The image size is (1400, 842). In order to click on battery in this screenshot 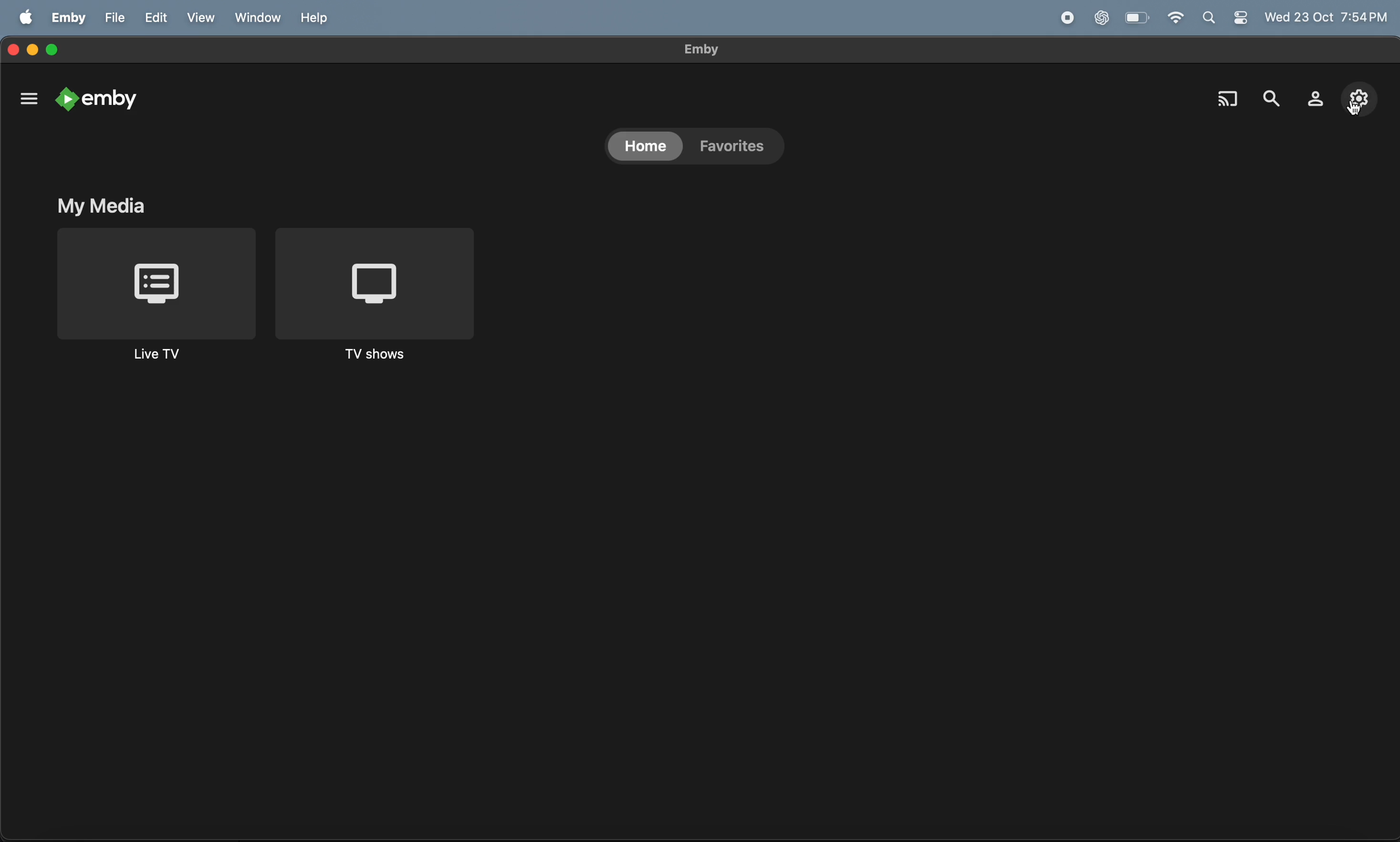, I will do `click(1135, 18)`.